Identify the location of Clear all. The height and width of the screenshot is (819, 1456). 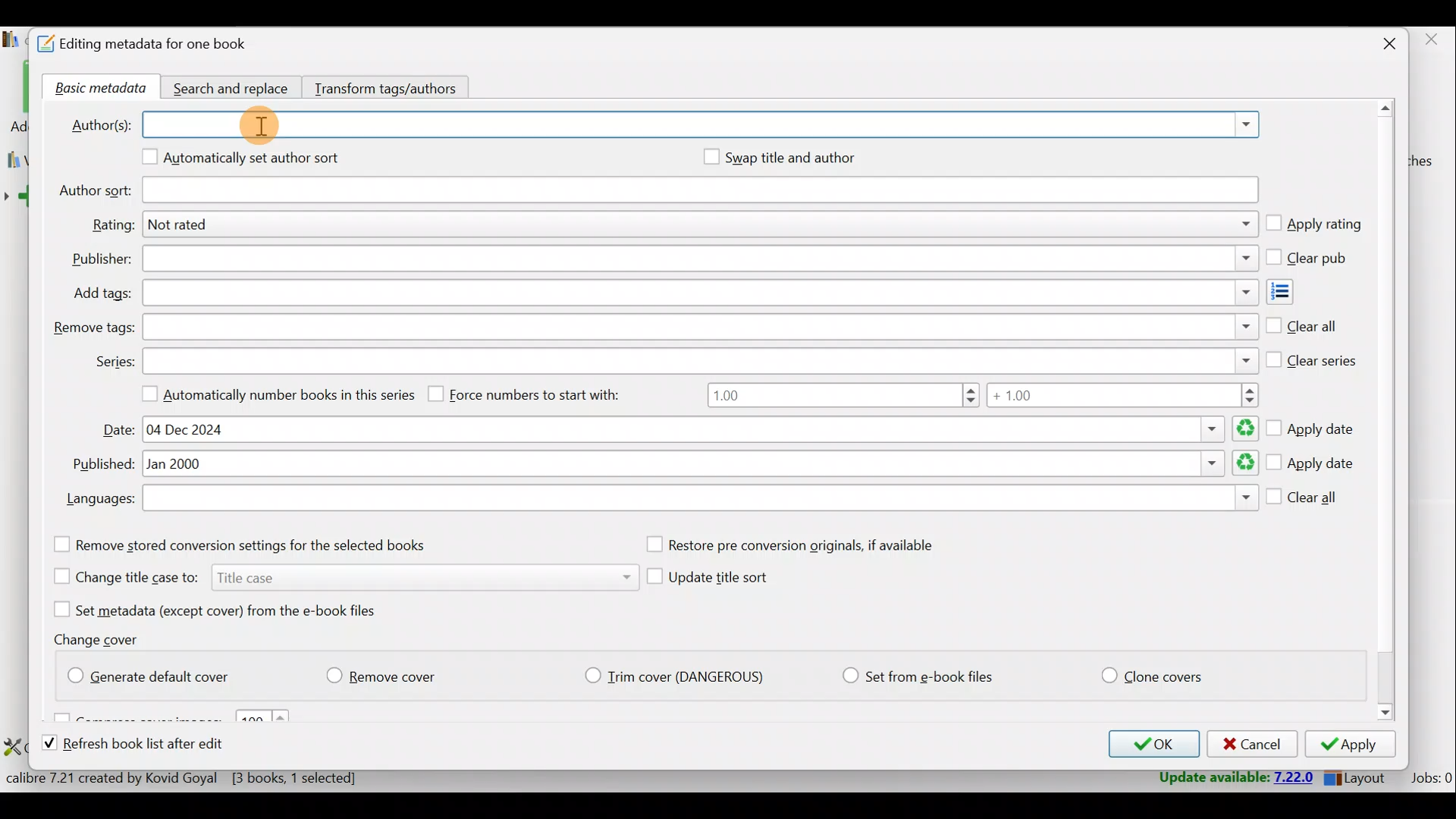
(1302, 323).